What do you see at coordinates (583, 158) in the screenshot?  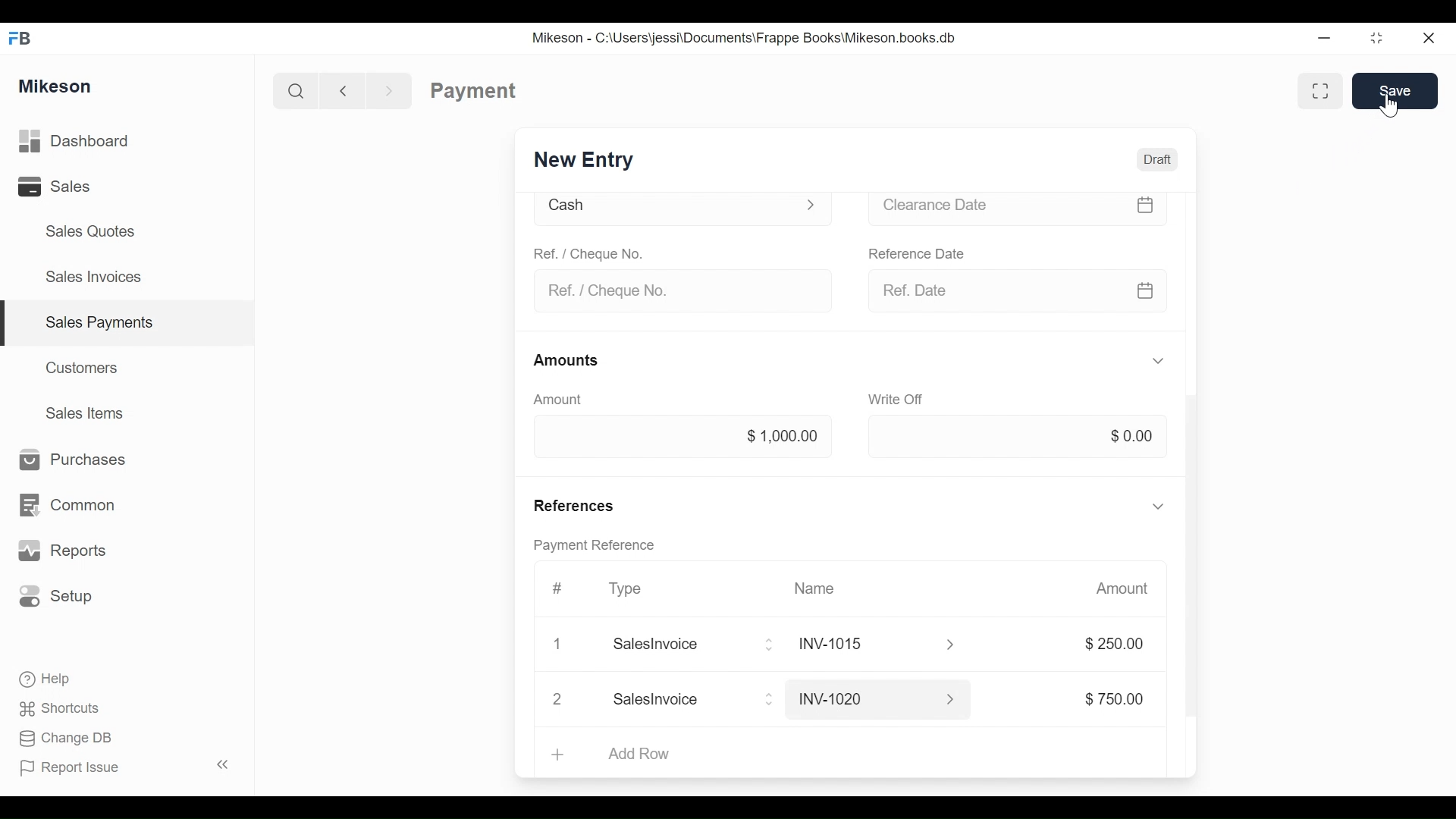 I see `New Entry` at bounding box center [583, 158].